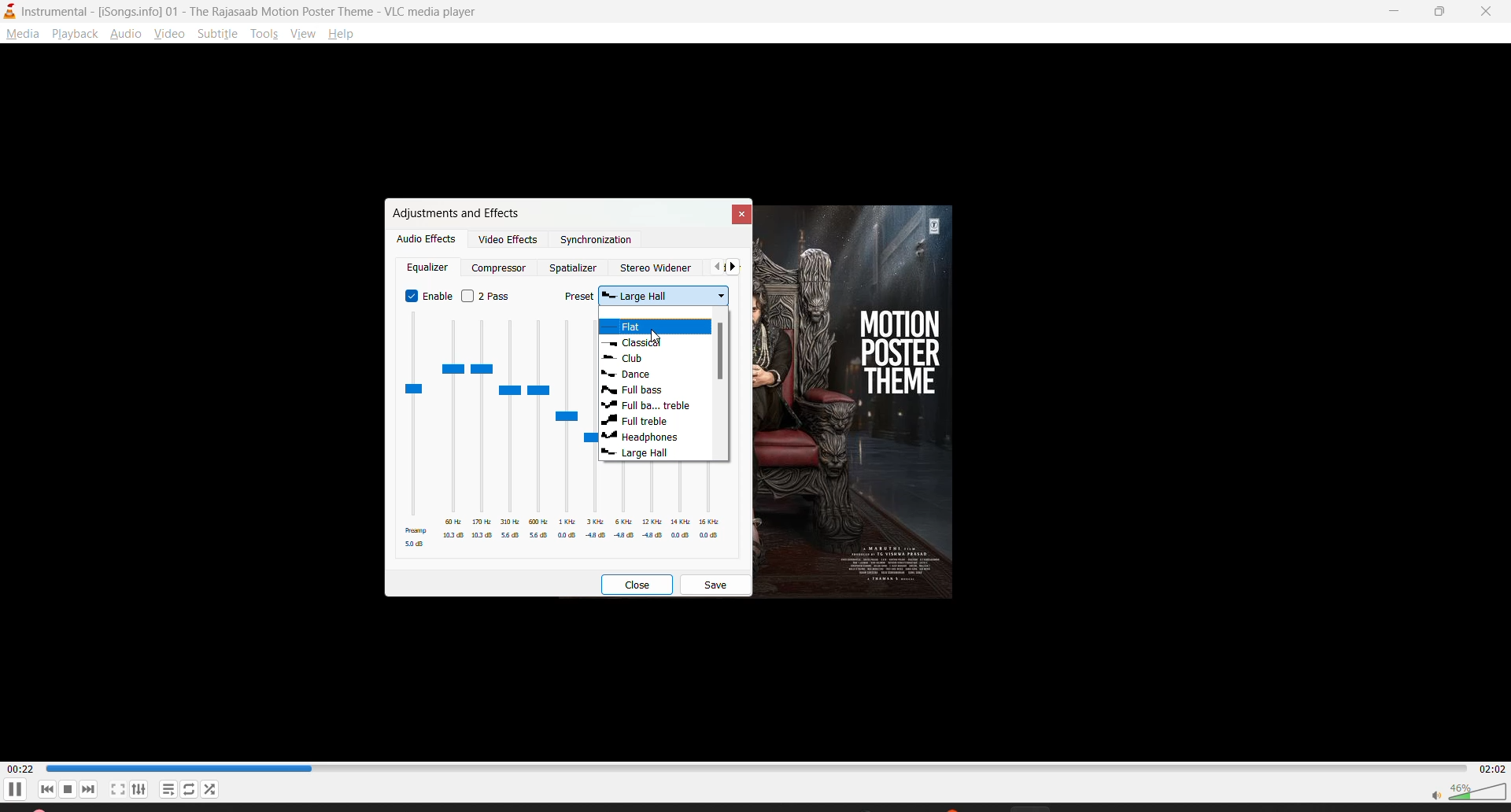 This screenshot has width=1511, height=812. What do you see at coordinates (68, 789) in the screenshot?
I see `stop` at bounding box center [68, 789].